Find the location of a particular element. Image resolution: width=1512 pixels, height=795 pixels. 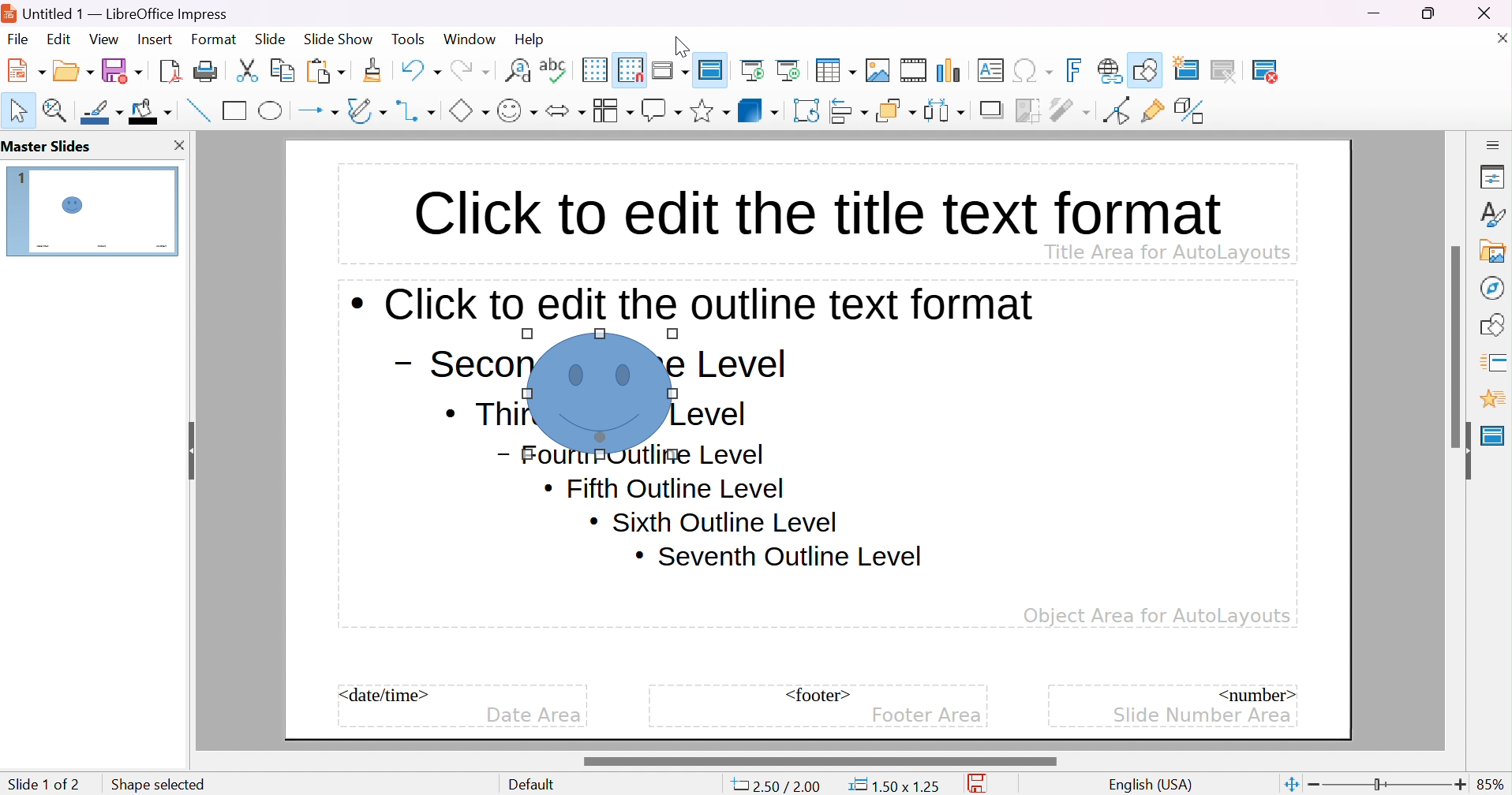

symbol shapes is located at coordinates (517, 110).